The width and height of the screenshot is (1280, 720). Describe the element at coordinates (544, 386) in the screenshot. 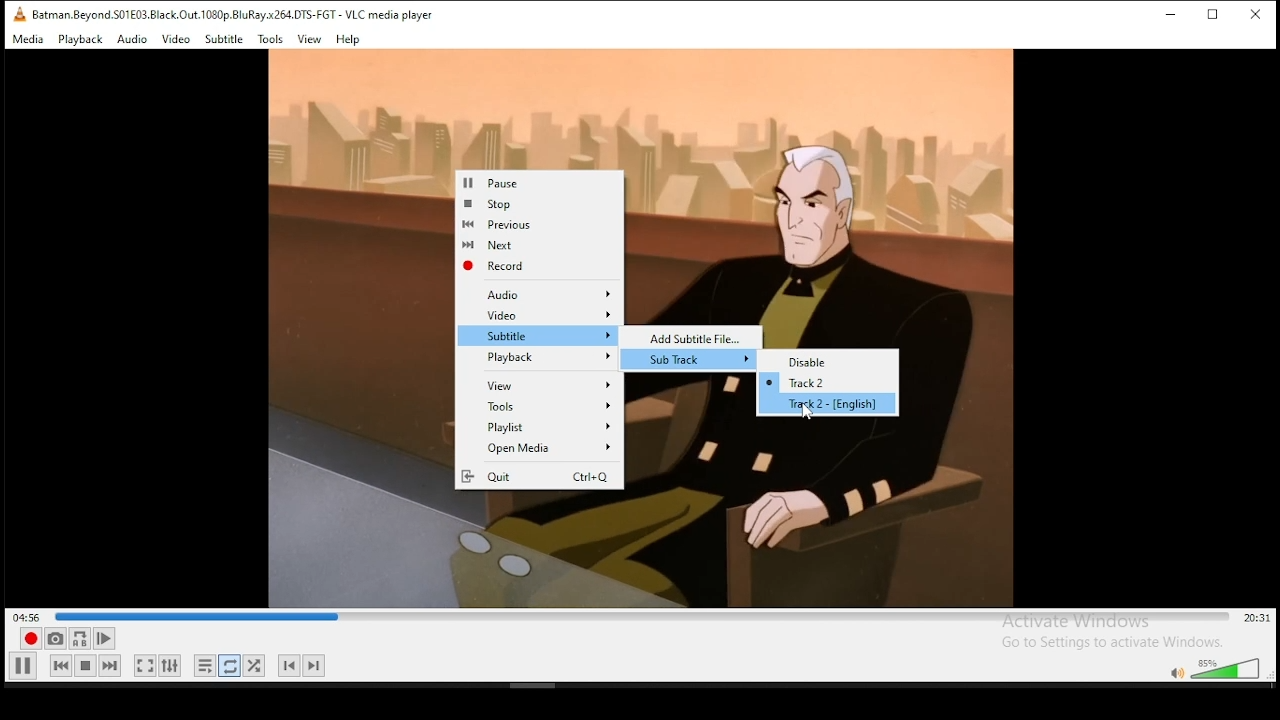

I see `View ` at that location.